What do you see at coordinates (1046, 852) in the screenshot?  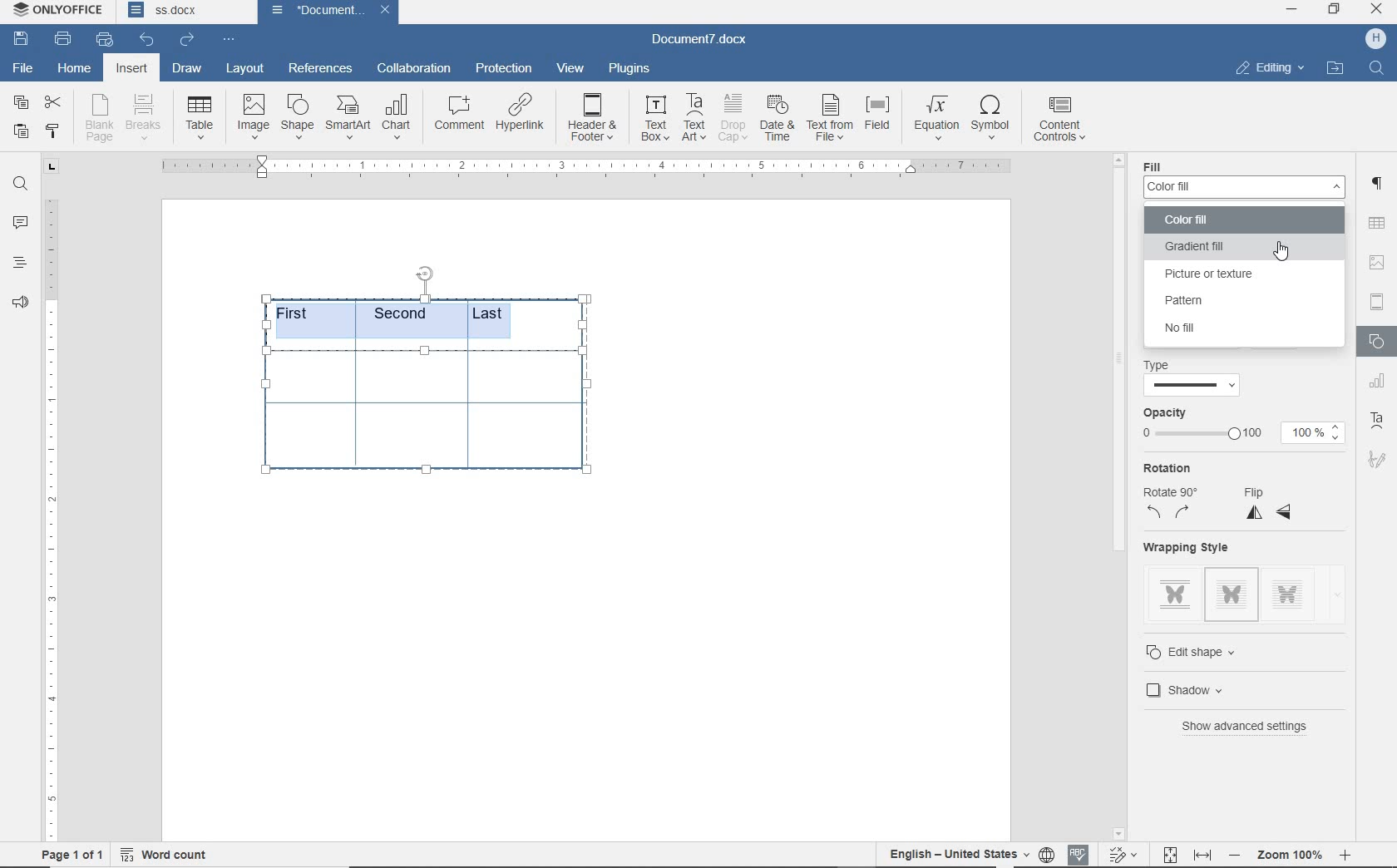 I see `set document language` at bounding box center [1046, 852].